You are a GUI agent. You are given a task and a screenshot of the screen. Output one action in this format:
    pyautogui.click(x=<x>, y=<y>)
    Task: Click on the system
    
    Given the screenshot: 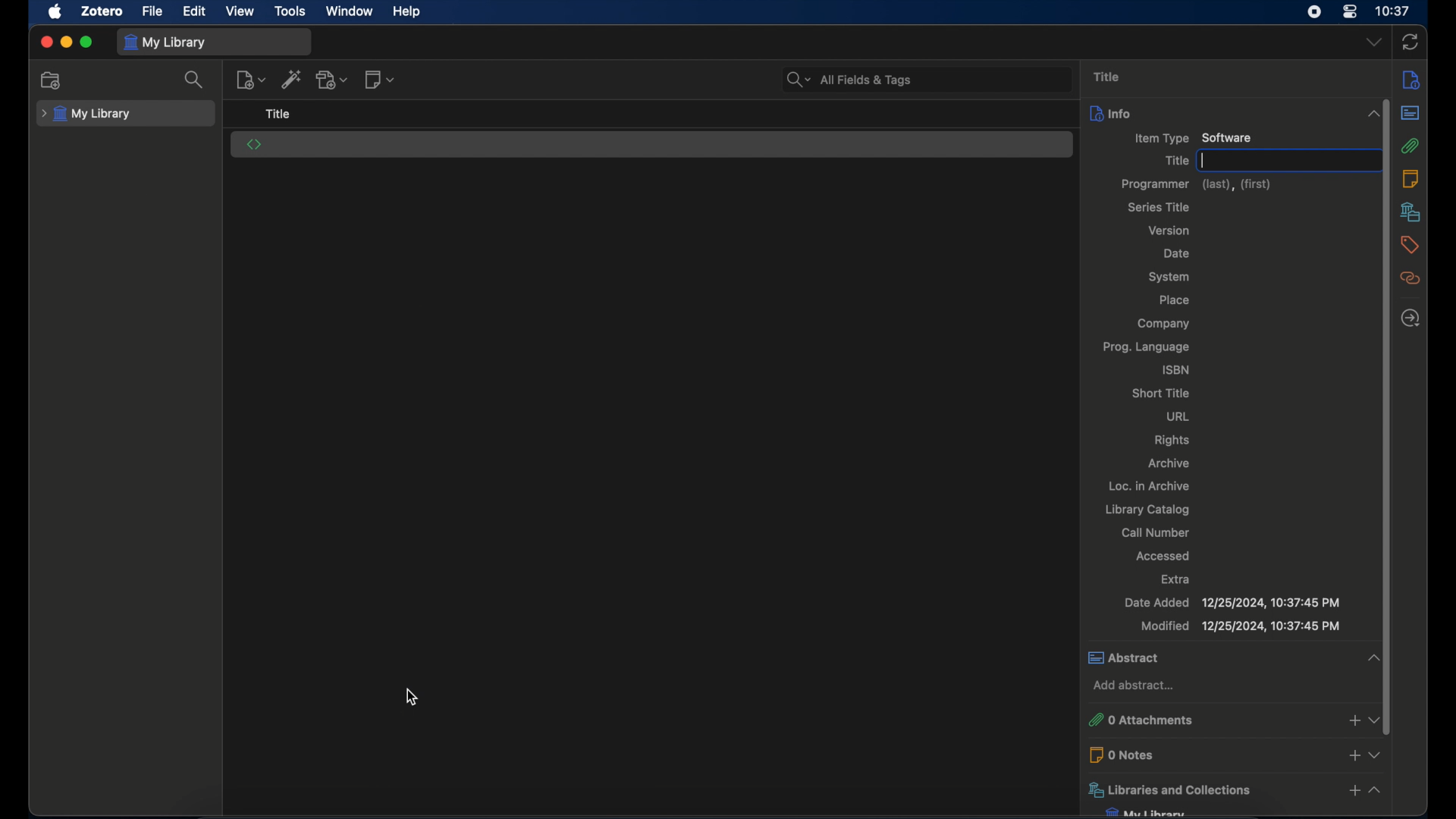 What is the action you would take?
    pyautogui.click(x=1171, y=276)
    